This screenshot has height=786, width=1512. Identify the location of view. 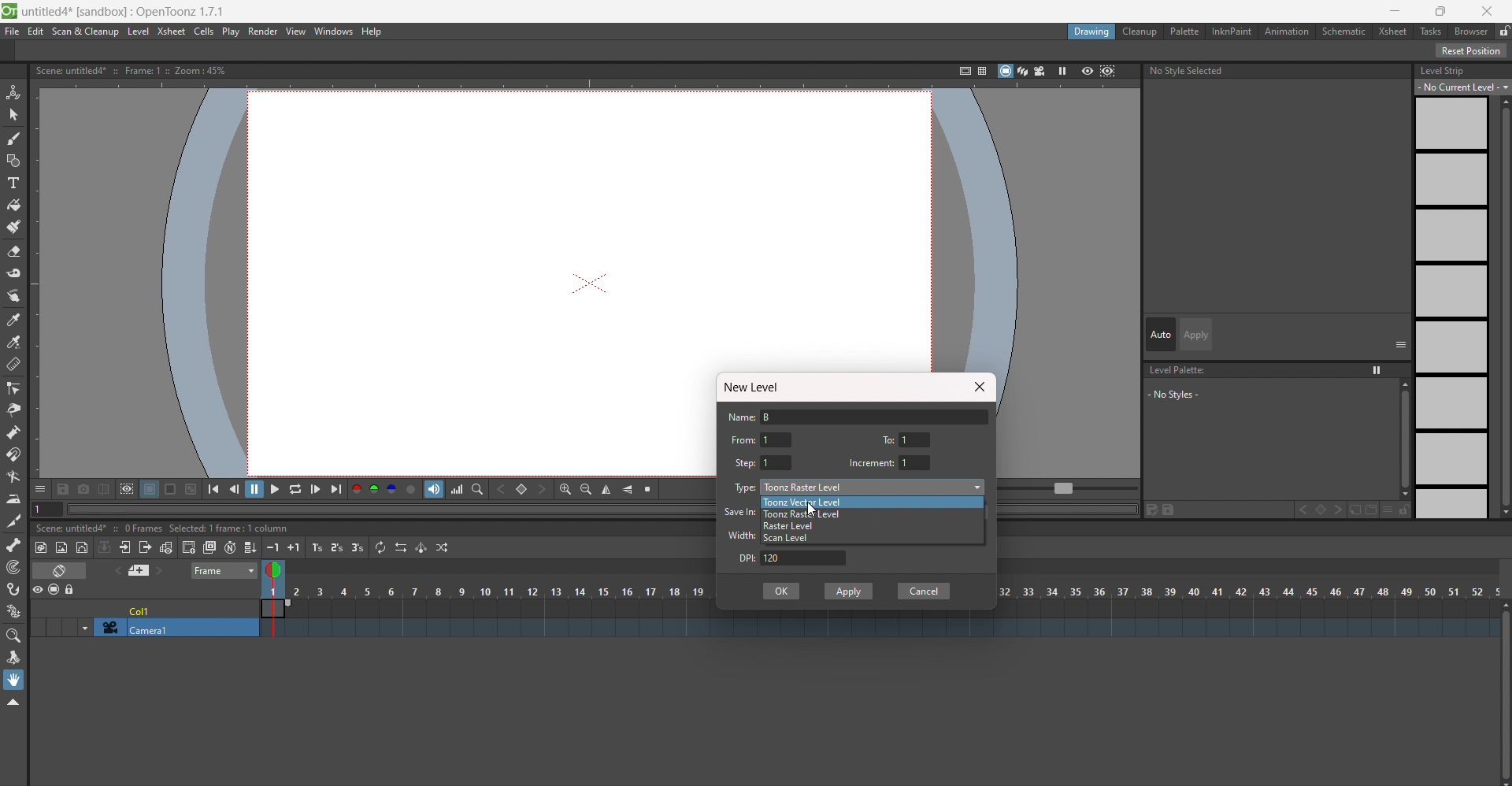
(296, 32).